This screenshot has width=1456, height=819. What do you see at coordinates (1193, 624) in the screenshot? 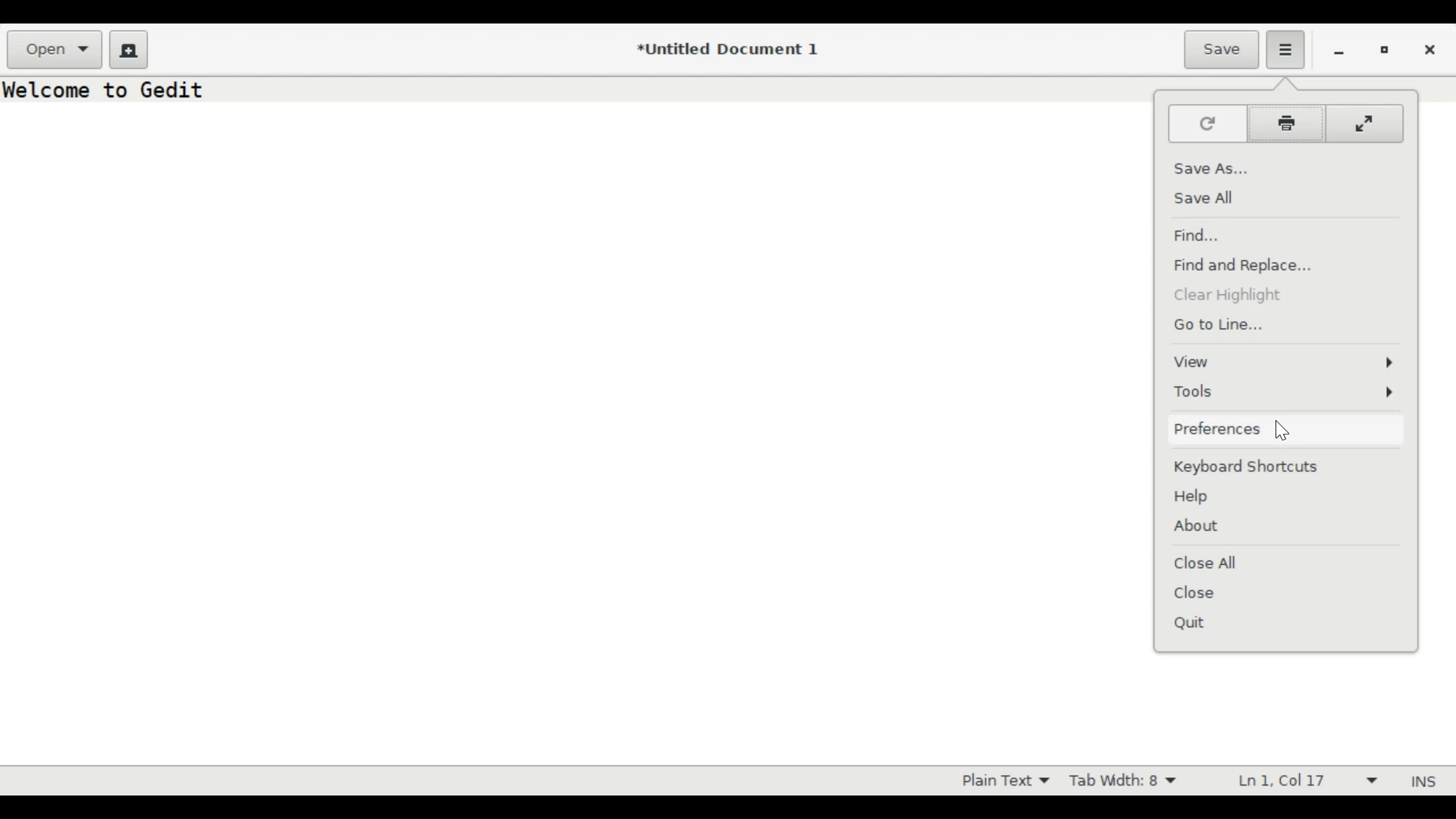
I see `Quit` at bounding box center [1193, 624].